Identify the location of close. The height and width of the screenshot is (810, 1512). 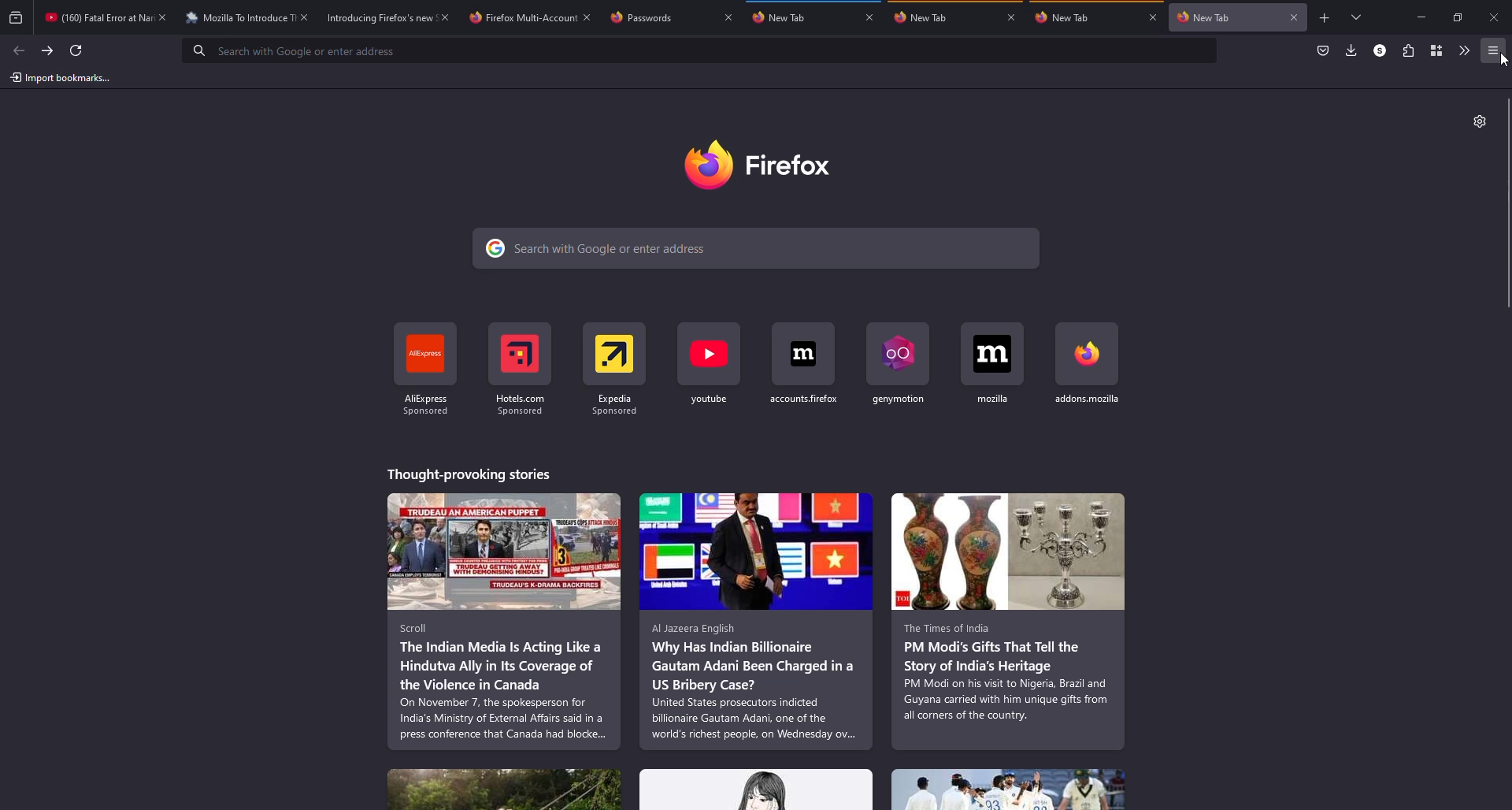
(1012, 17).